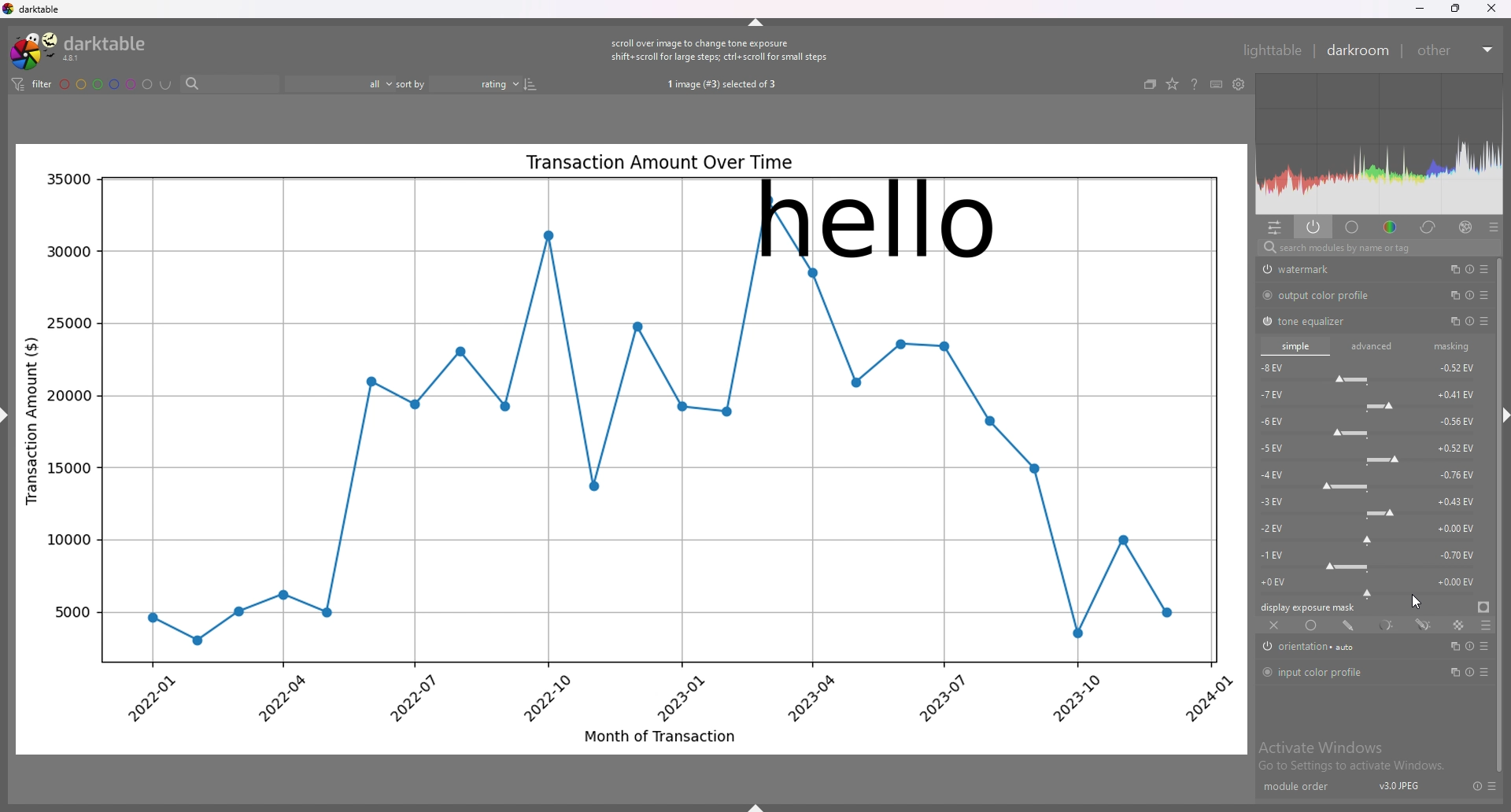  I want to click on parametric mask, so click(1385, 625).